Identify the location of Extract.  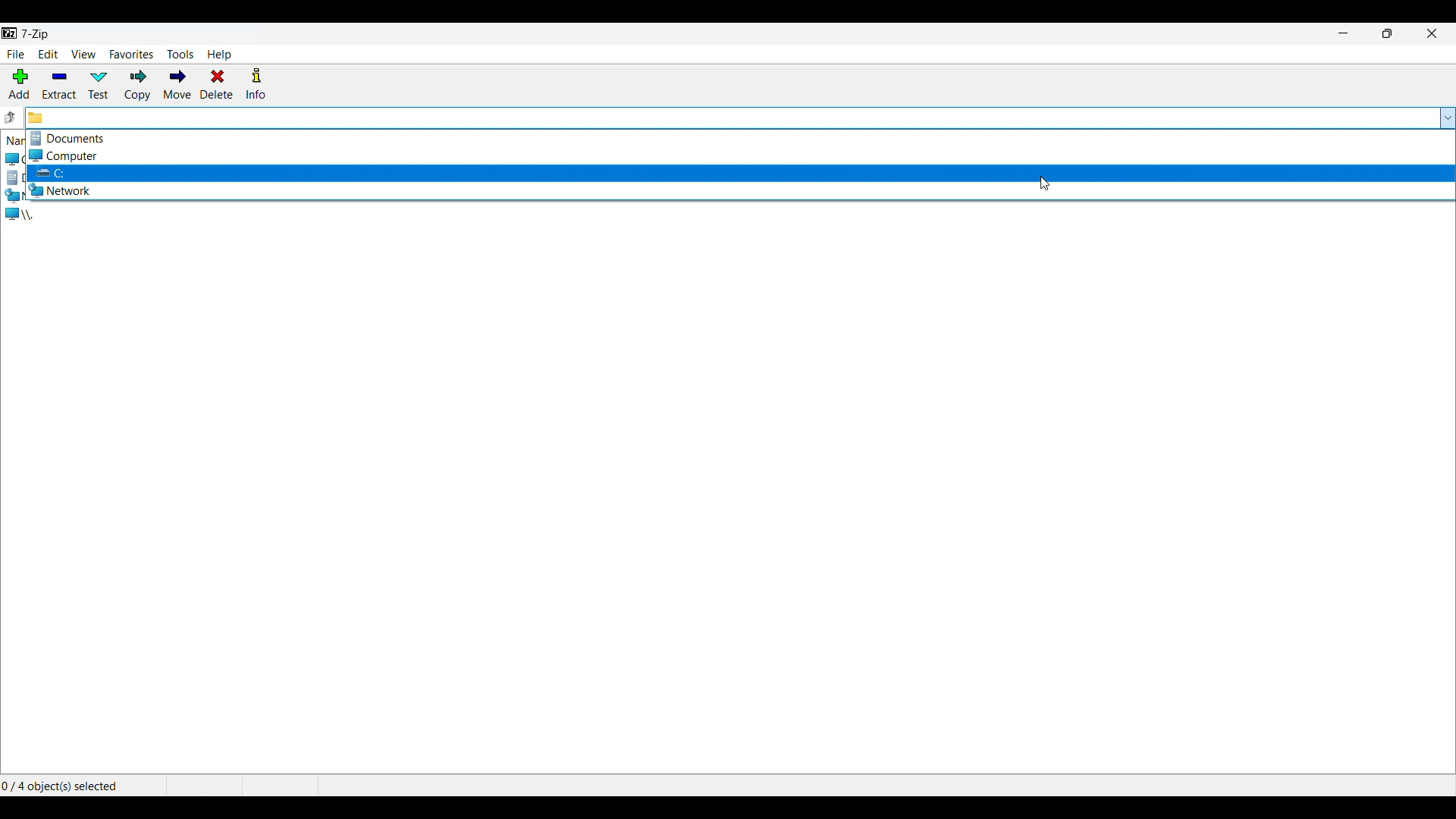
(60, 85).